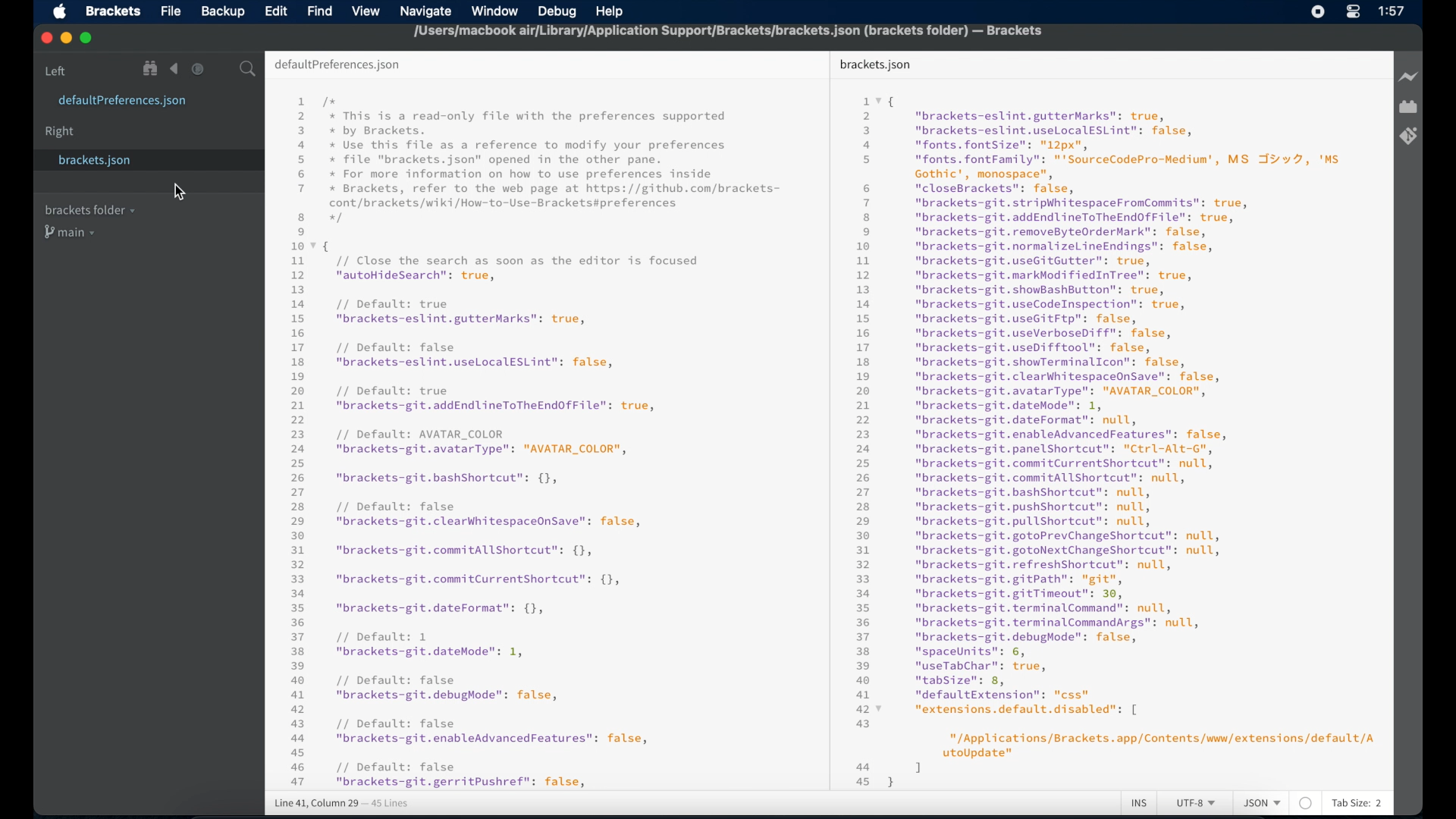 The height and width of the screenshot is (819, 1456). I want to click on control center, so click(1353, 12).